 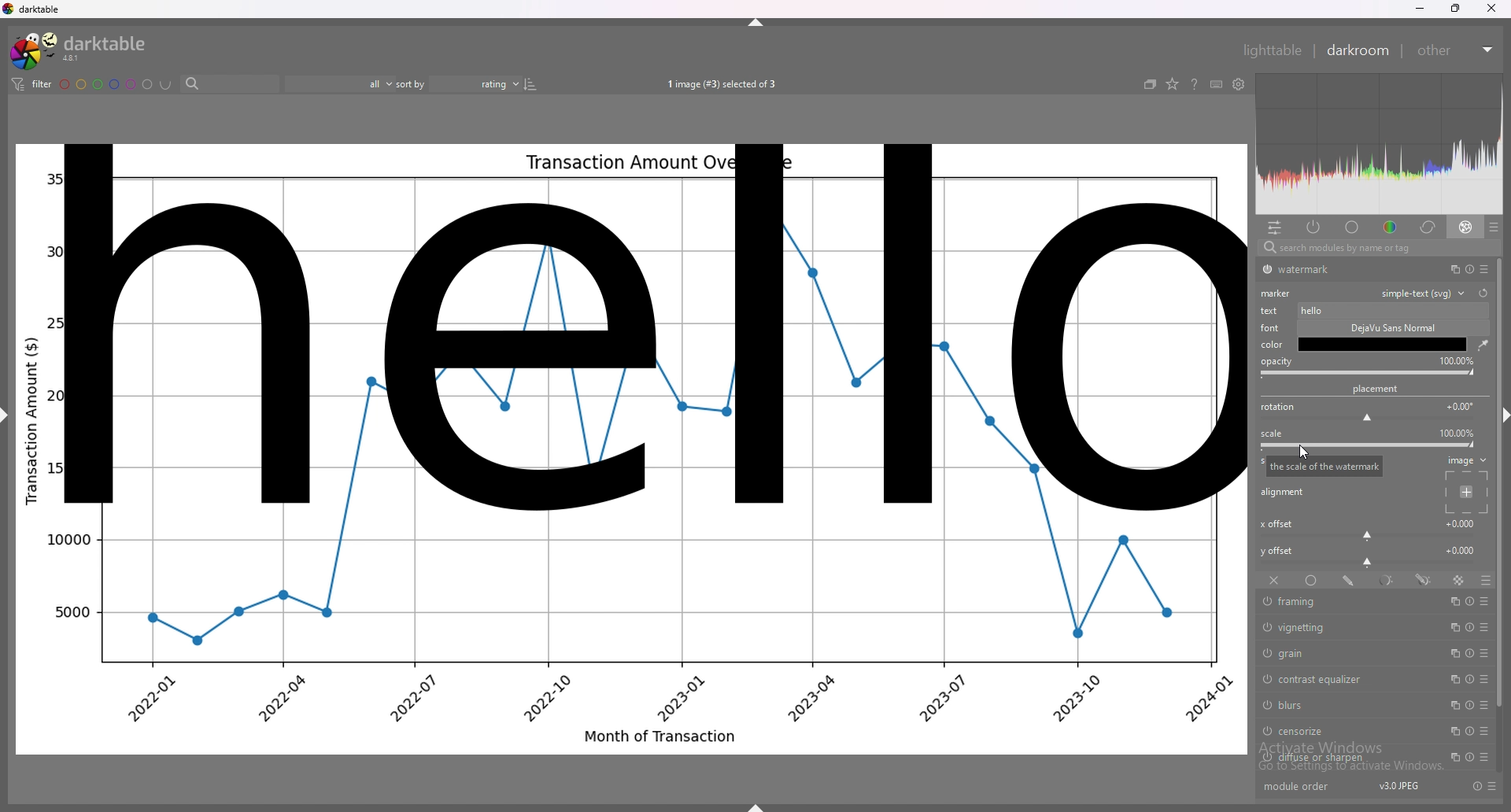 What do you see at coordinates (1419, 9) in the screenshot?
I see `minimize` at bounding box center [1419, 9].